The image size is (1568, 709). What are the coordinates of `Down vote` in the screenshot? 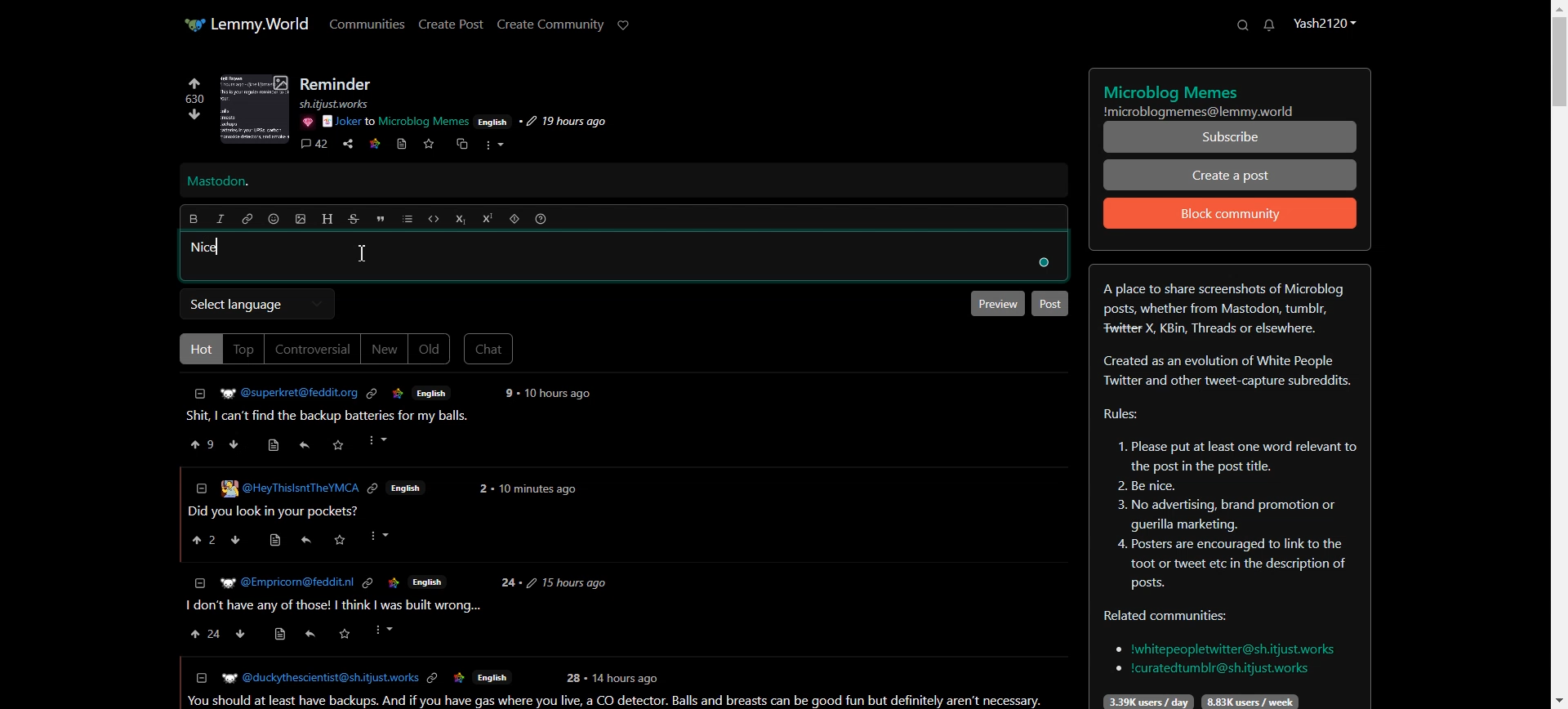 It's located at (190, 117).